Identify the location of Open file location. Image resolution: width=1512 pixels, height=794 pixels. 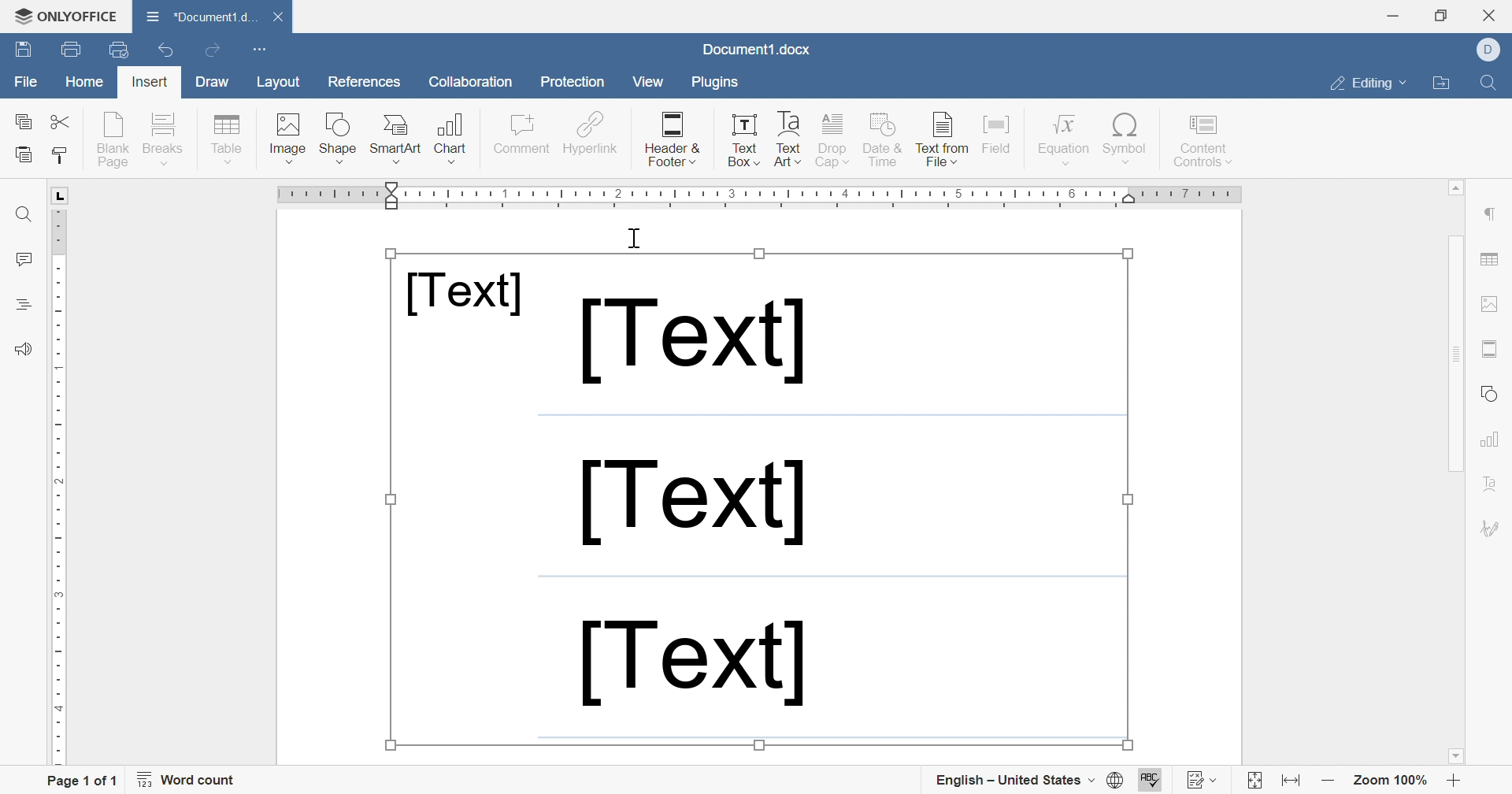
(1439, 83).